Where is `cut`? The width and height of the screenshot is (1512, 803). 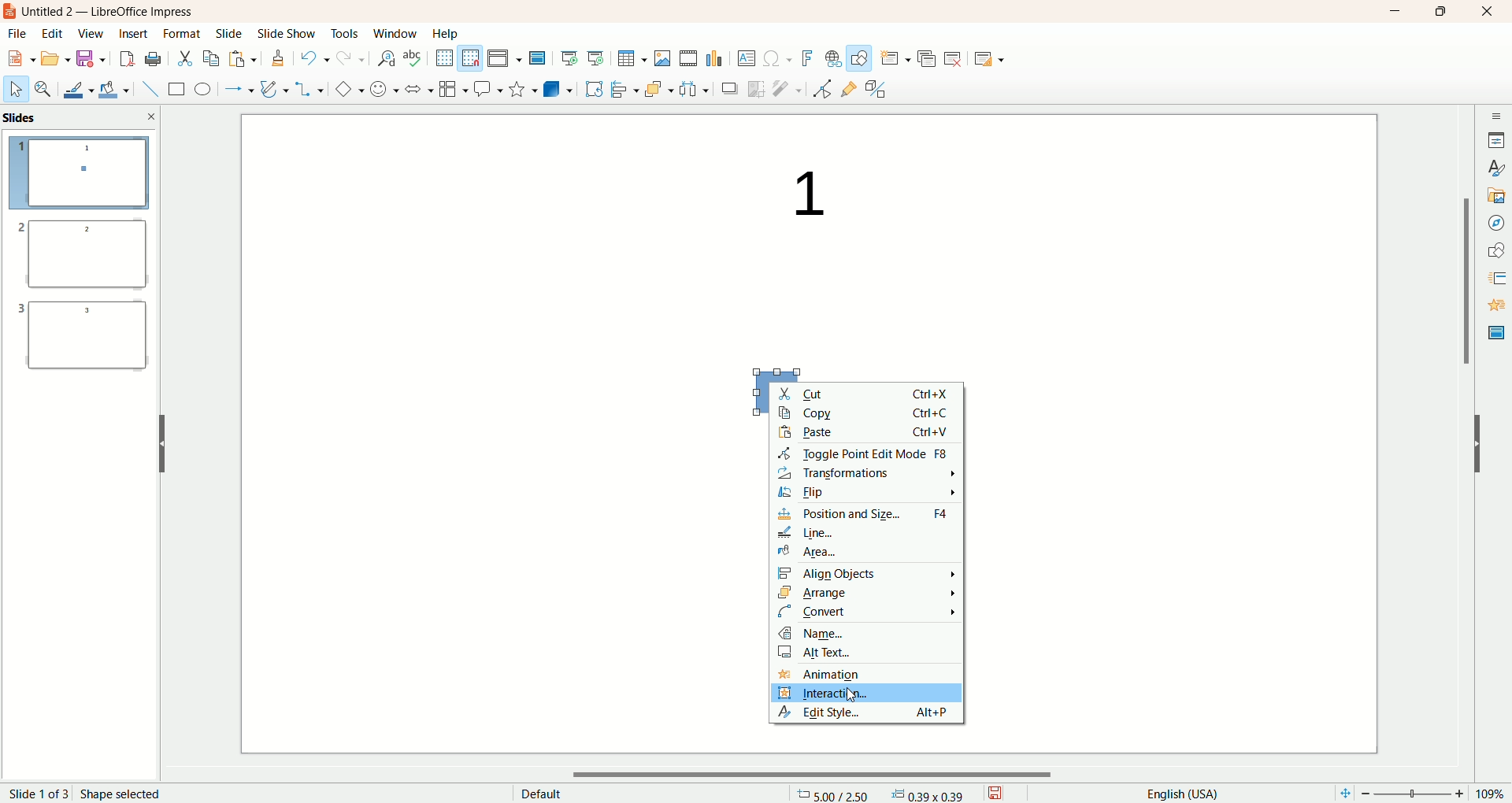
cut is located at coordinates (819, 394).